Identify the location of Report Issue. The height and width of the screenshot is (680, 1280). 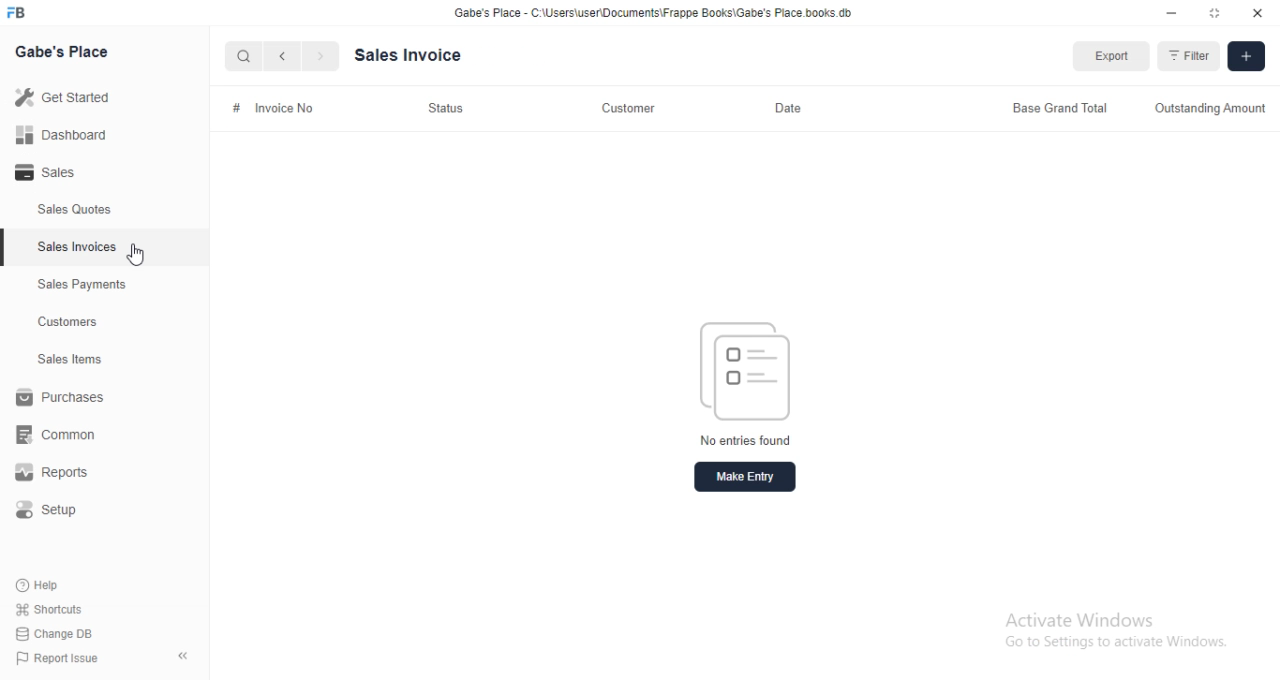
(61, 660).